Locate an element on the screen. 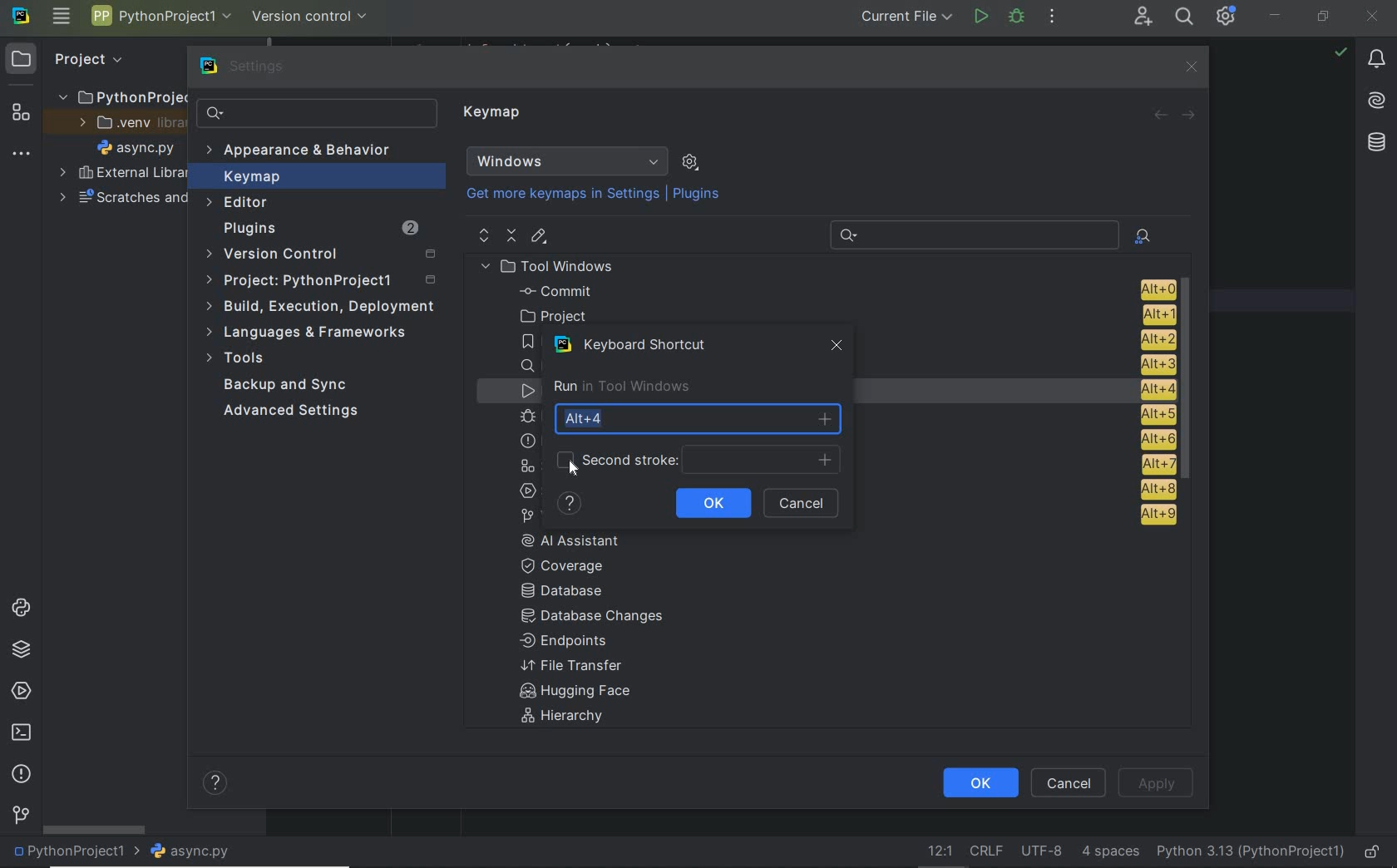 The height and width of the screenshot is (868, 1397). Database is located at coordinates (567, 592).